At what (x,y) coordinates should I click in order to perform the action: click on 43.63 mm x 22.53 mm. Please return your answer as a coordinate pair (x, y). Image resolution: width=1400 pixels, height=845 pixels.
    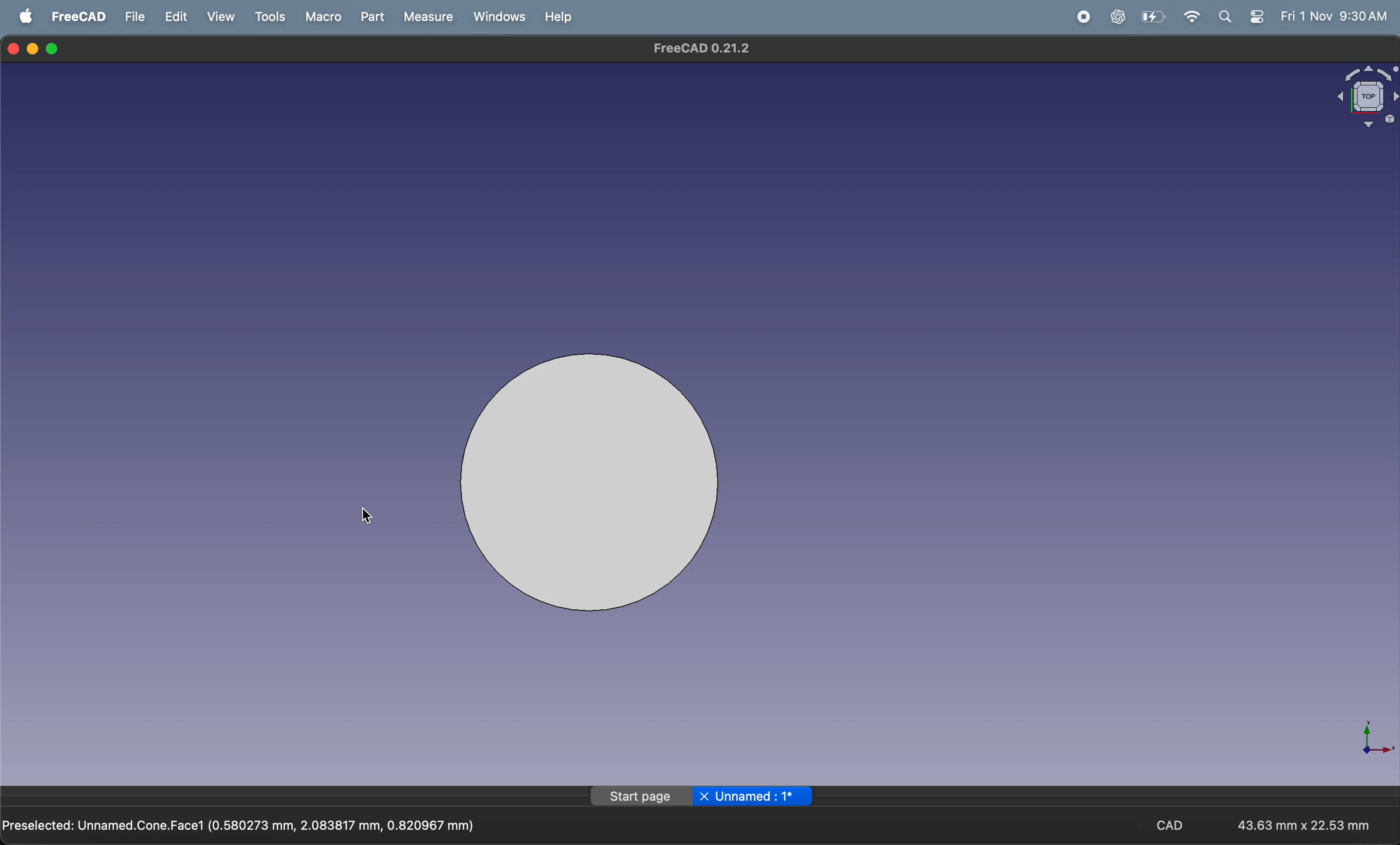
    Looking at the image, I should click on (1304, 823).